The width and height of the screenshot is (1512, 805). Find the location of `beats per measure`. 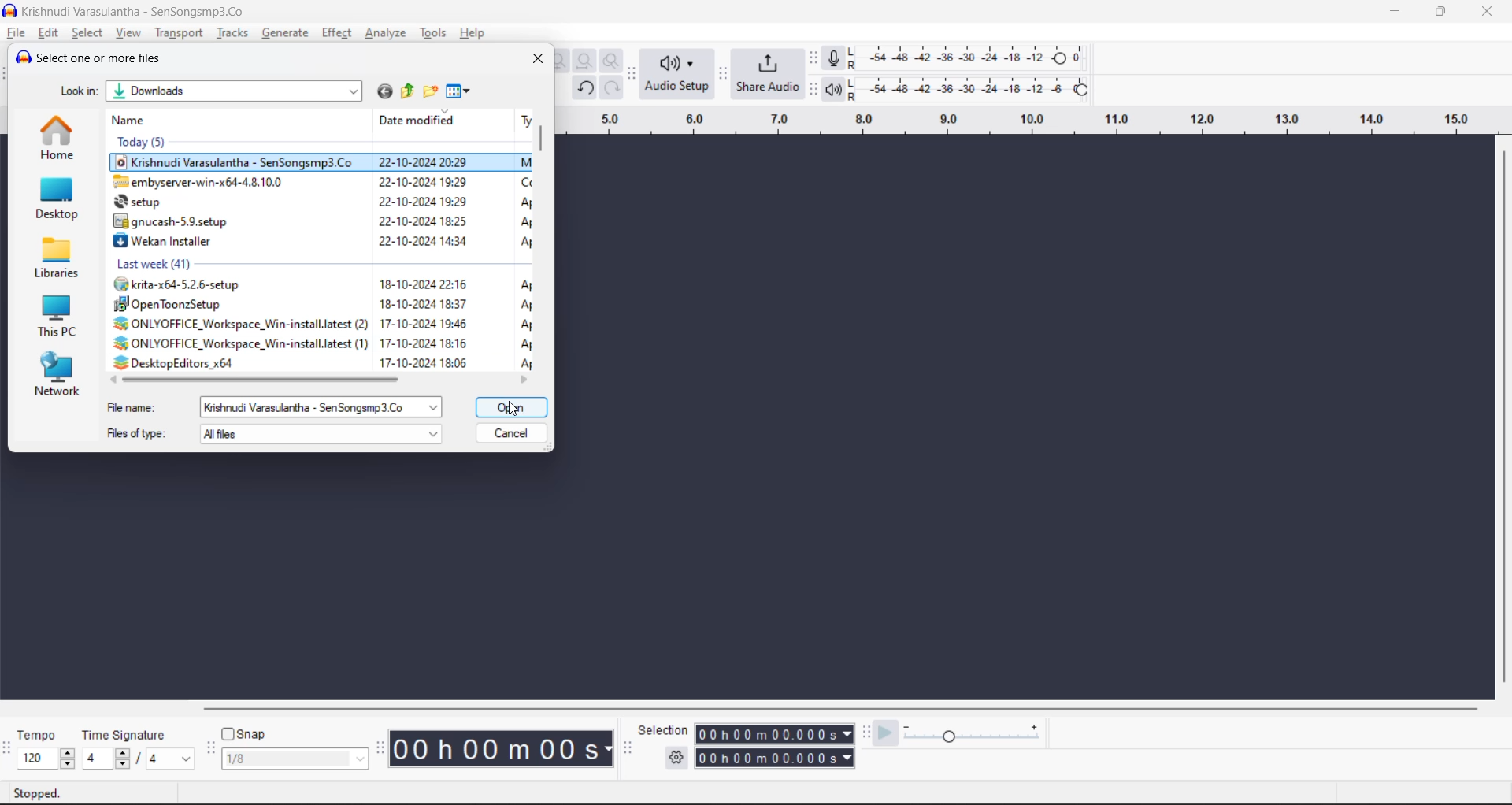

beats per measure is located at coordinates (138, 757).